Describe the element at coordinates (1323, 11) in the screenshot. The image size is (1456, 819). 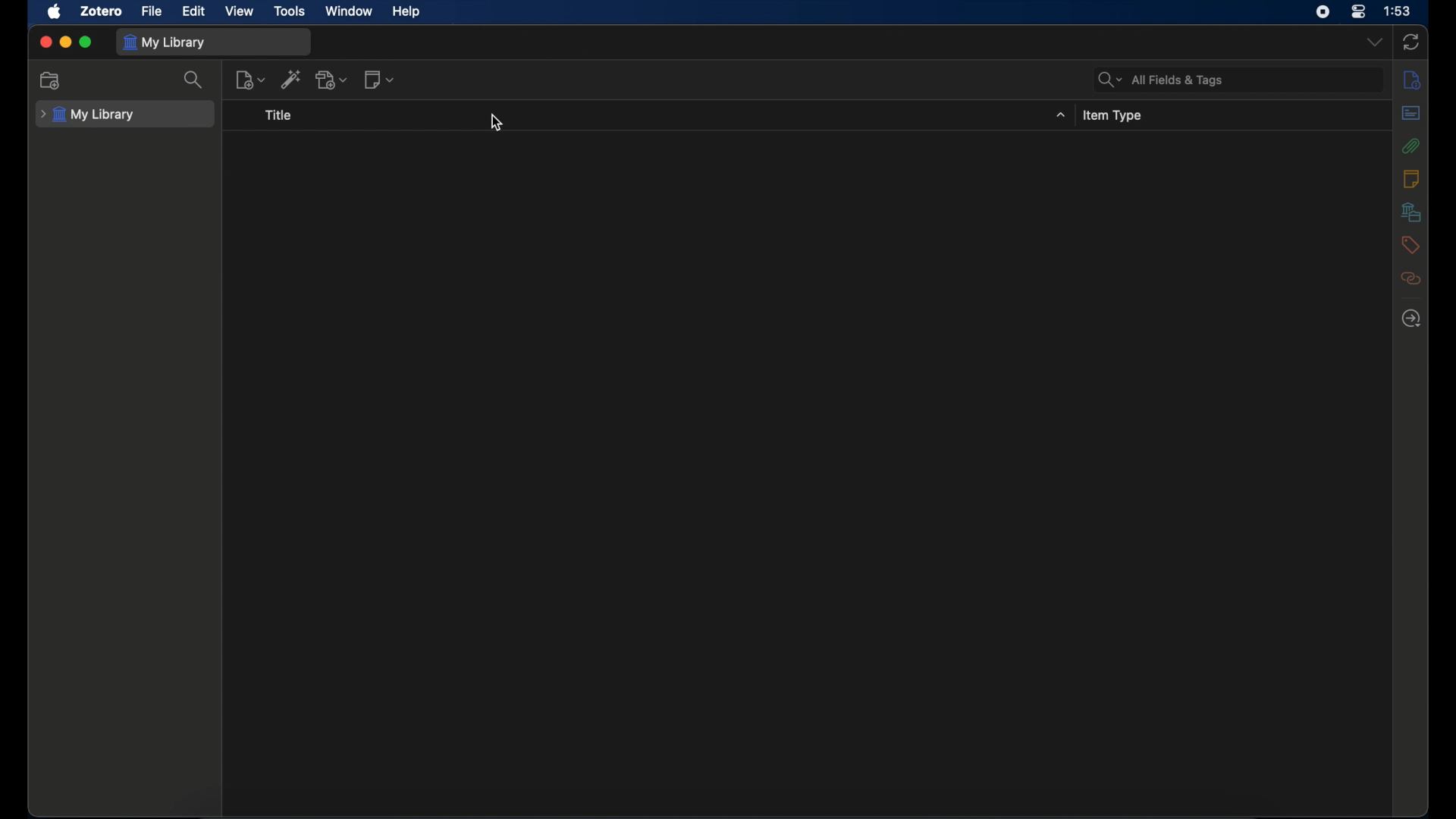
I see `screen recorder` at that location.